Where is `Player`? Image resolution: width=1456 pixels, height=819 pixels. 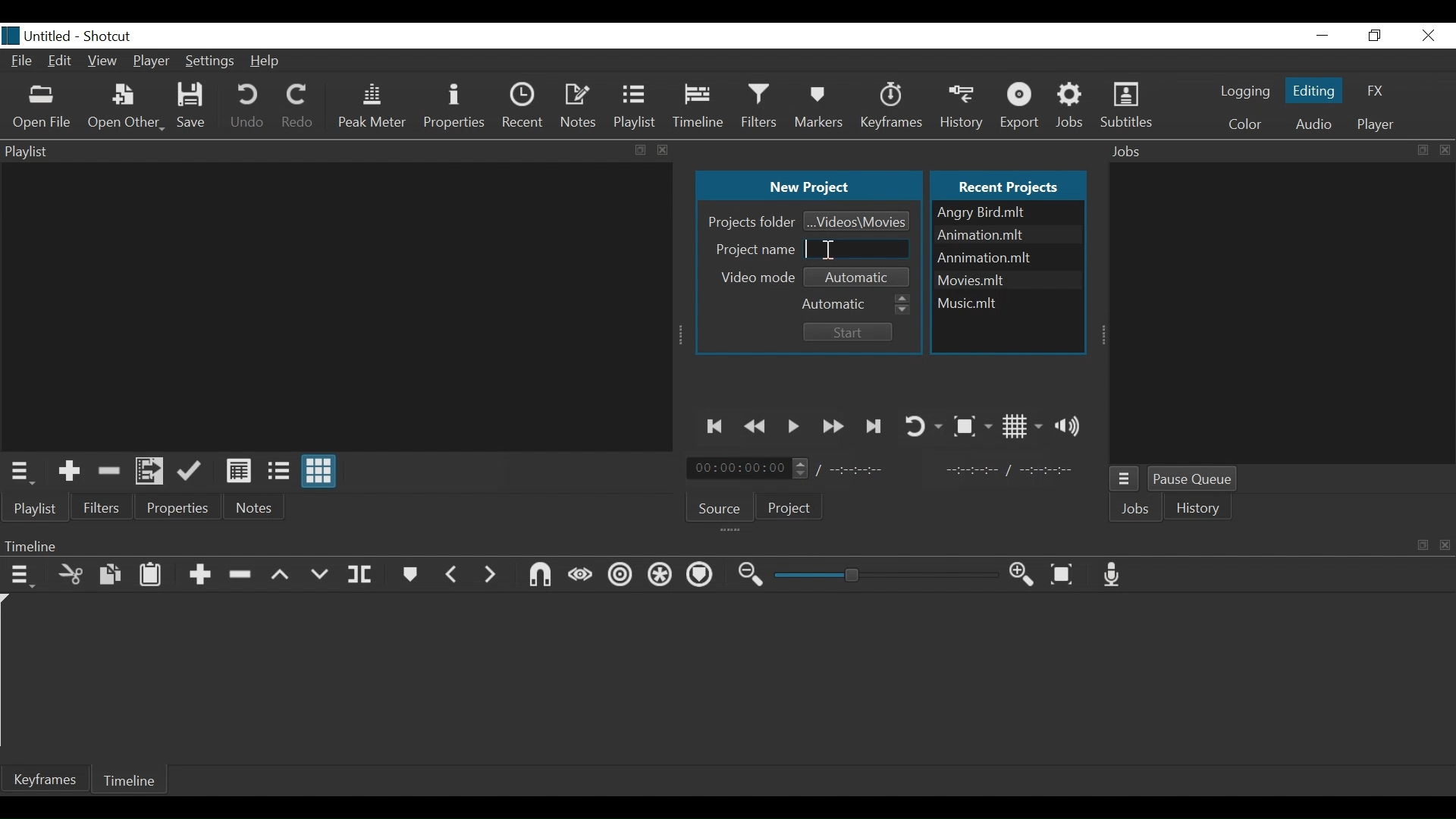 Player is located at coordinates (152, 61).